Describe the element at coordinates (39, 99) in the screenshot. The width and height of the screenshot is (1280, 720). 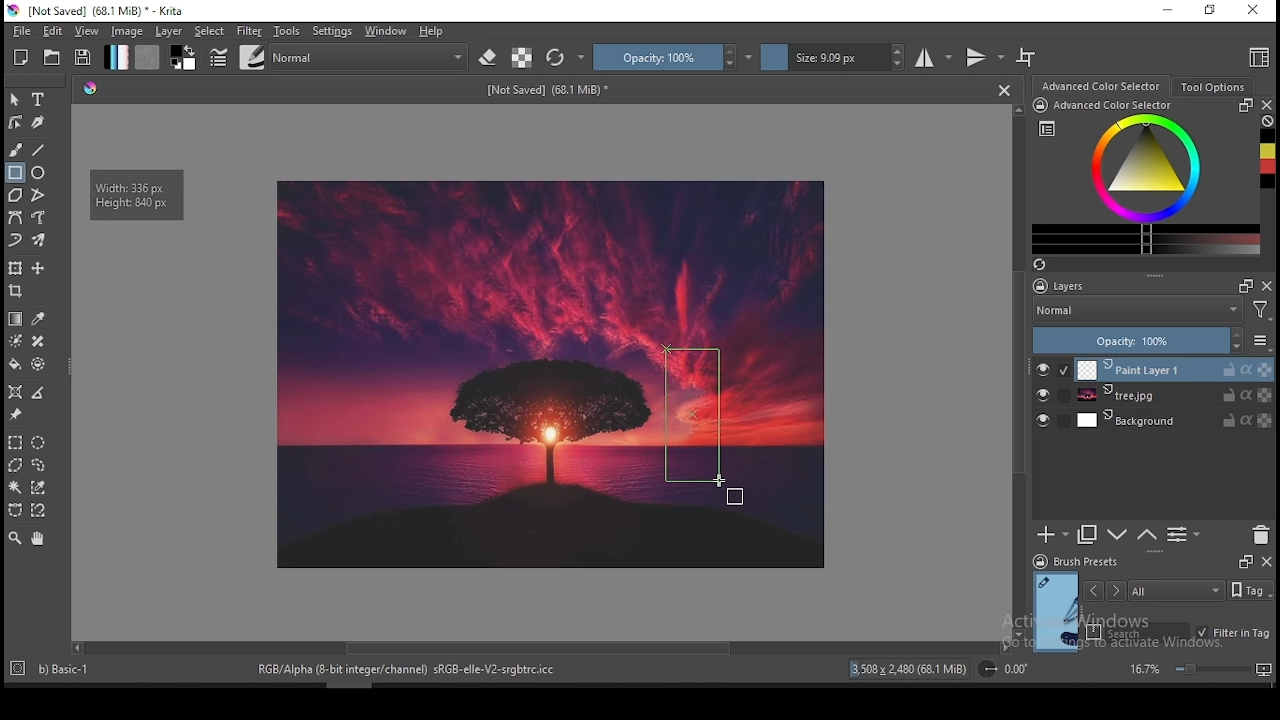
I see `text tool` at that location.